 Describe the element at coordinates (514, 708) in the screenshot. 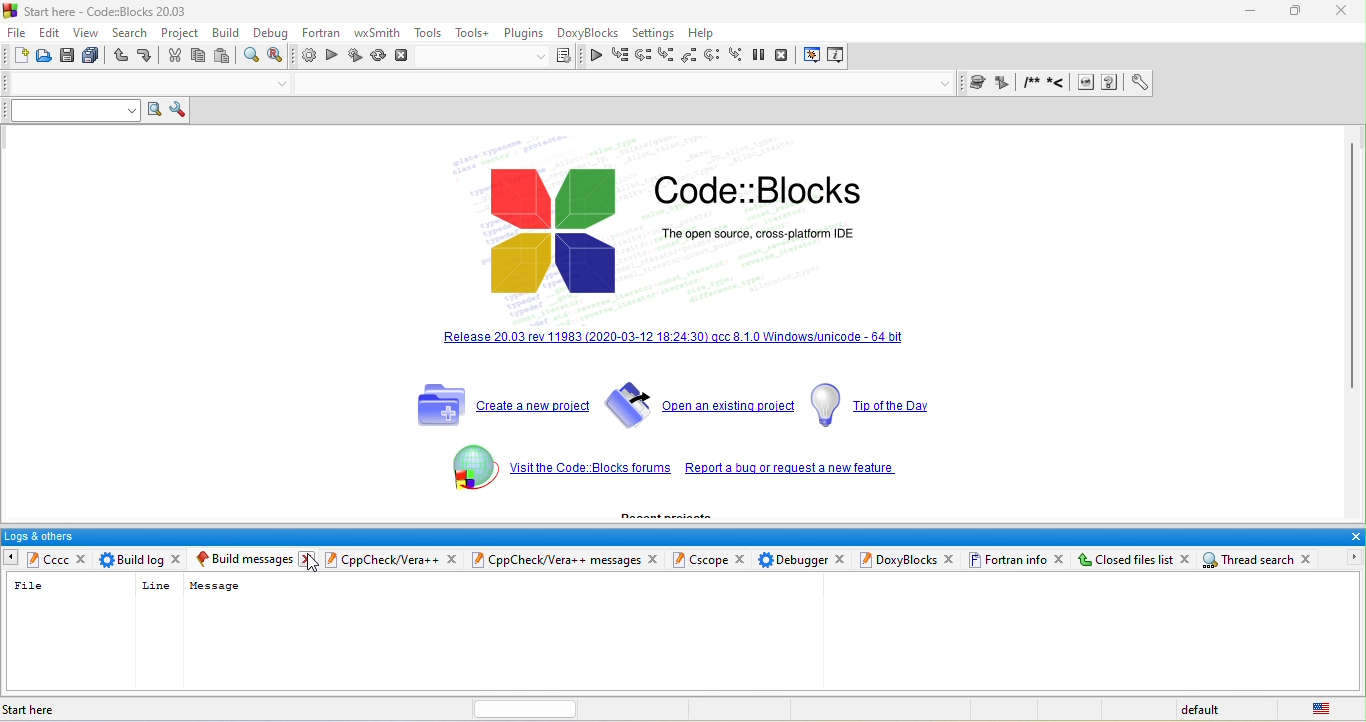

I see `horizontal scroll bar` at that location.